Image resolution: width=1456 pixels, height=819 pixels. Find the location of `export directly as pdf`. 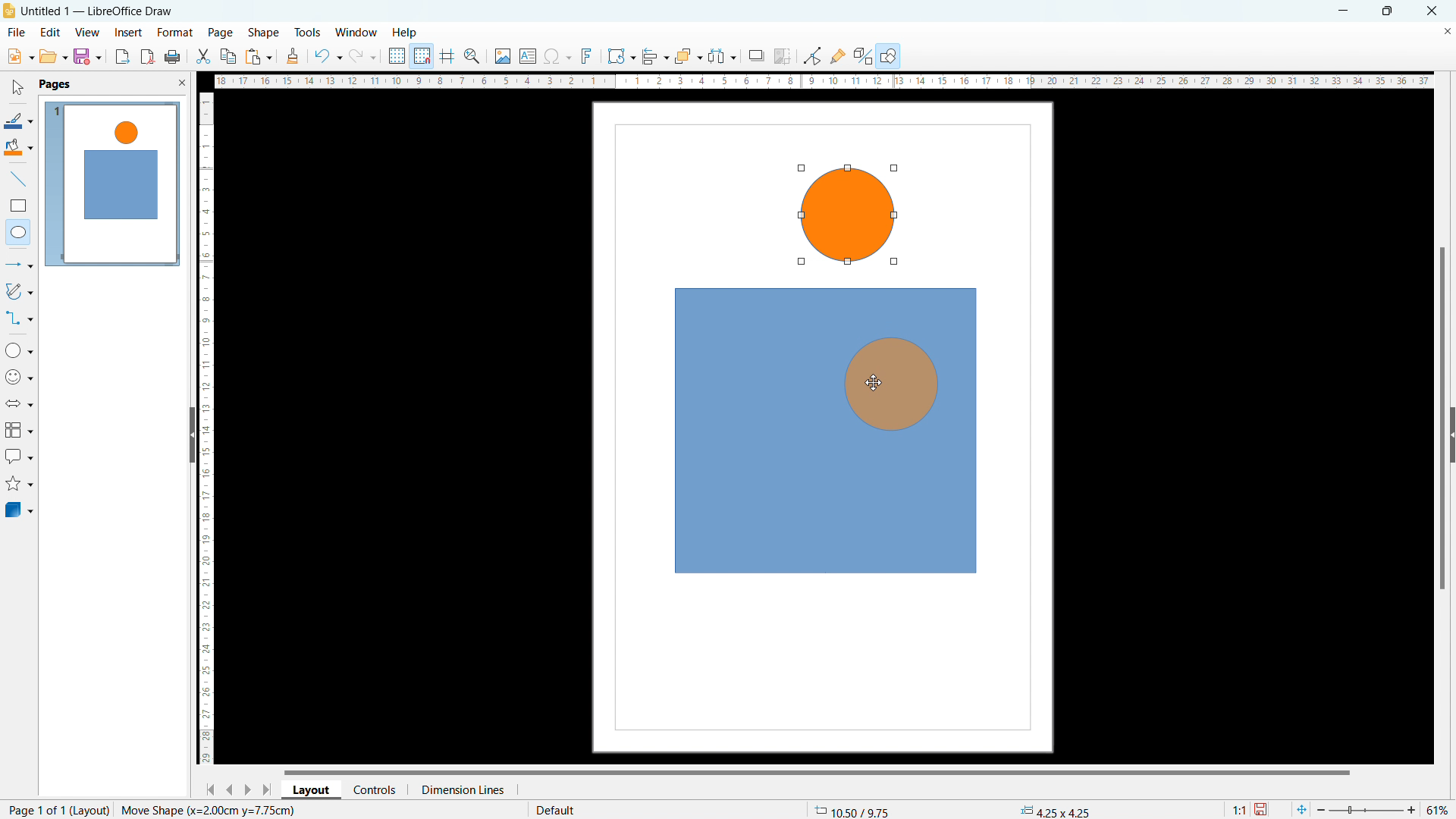

export directly as pdf is located at coordinates (147, 57).